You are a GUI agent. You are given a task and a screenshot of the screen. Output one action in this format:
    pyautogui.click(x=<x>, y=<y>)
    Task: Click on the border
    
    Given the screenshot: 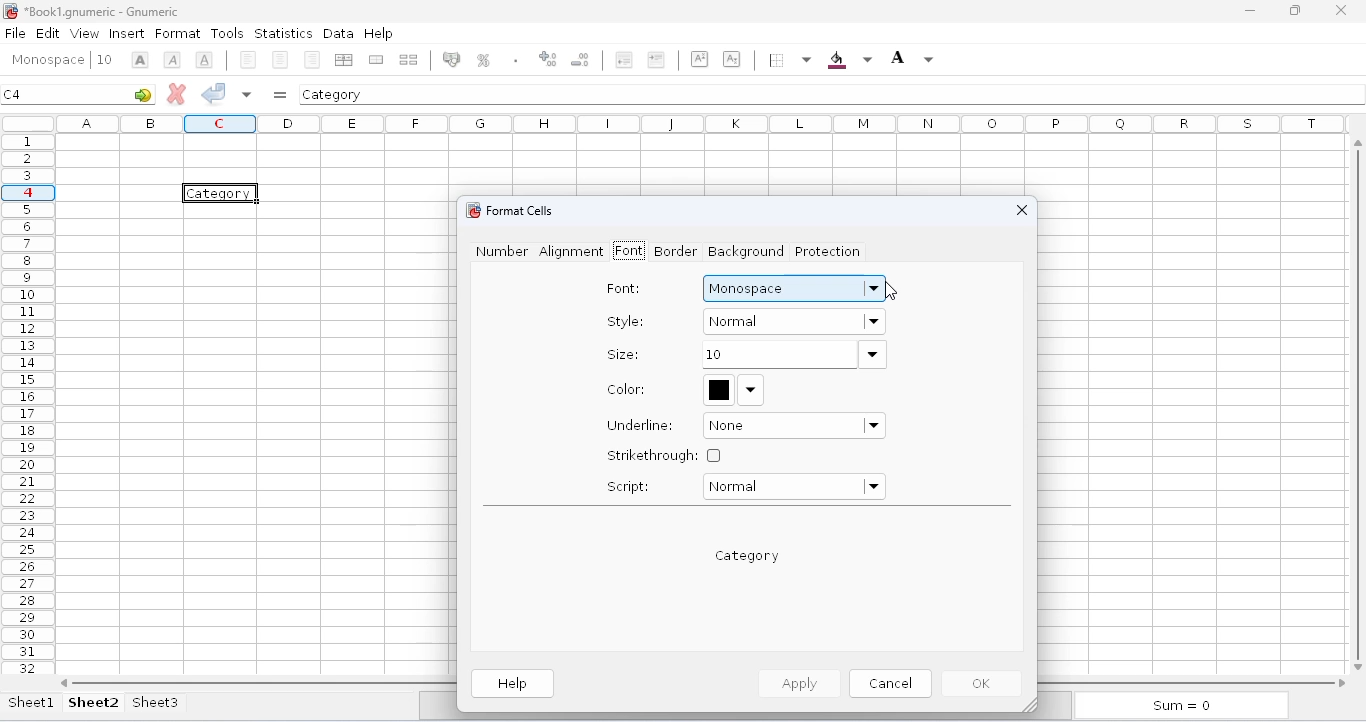 What is the action you would take?
    pyautogui.click(x=674, y=251)
    